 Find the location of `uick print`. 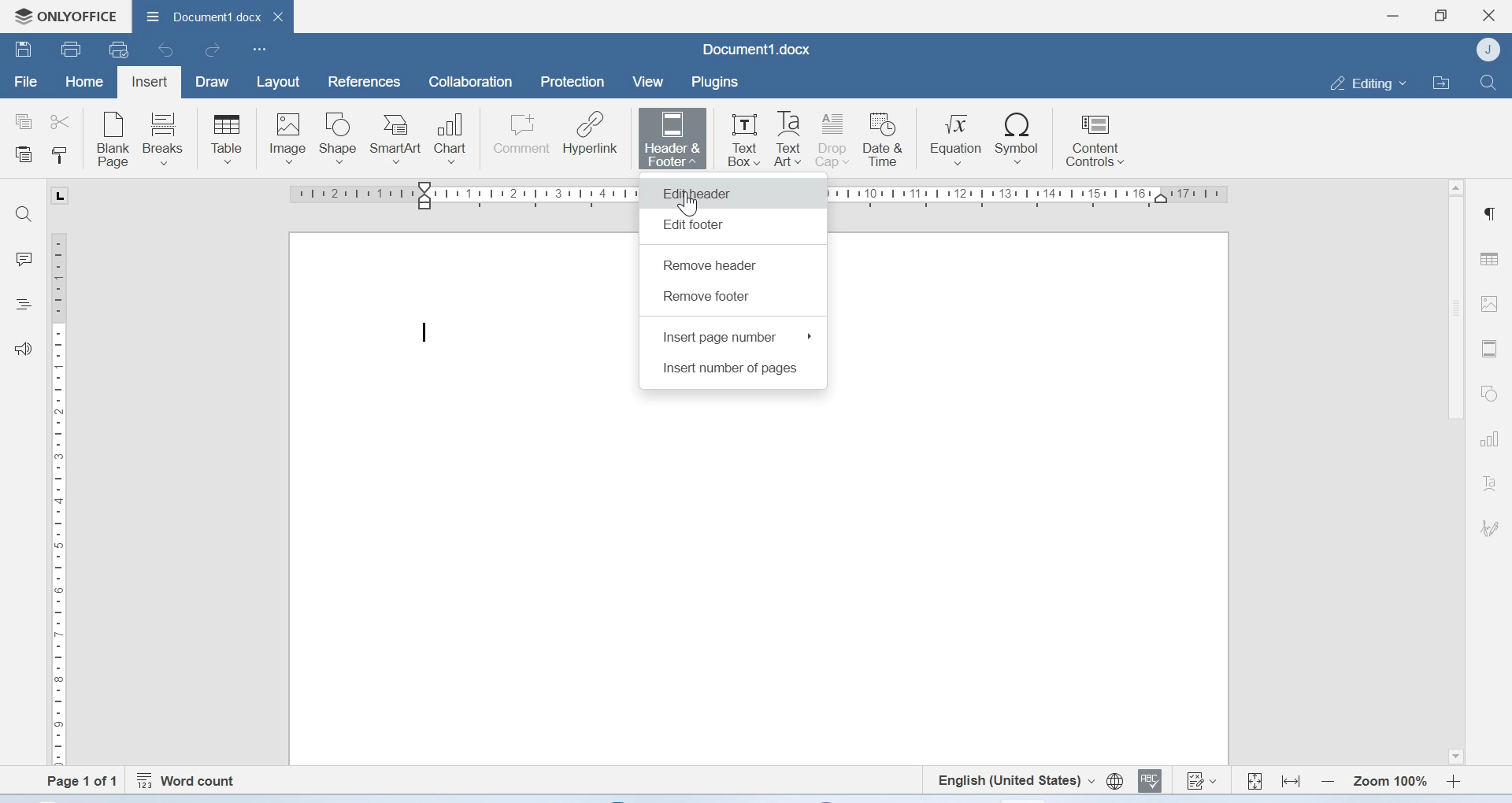

uick print is located at coordinates (121, 50).